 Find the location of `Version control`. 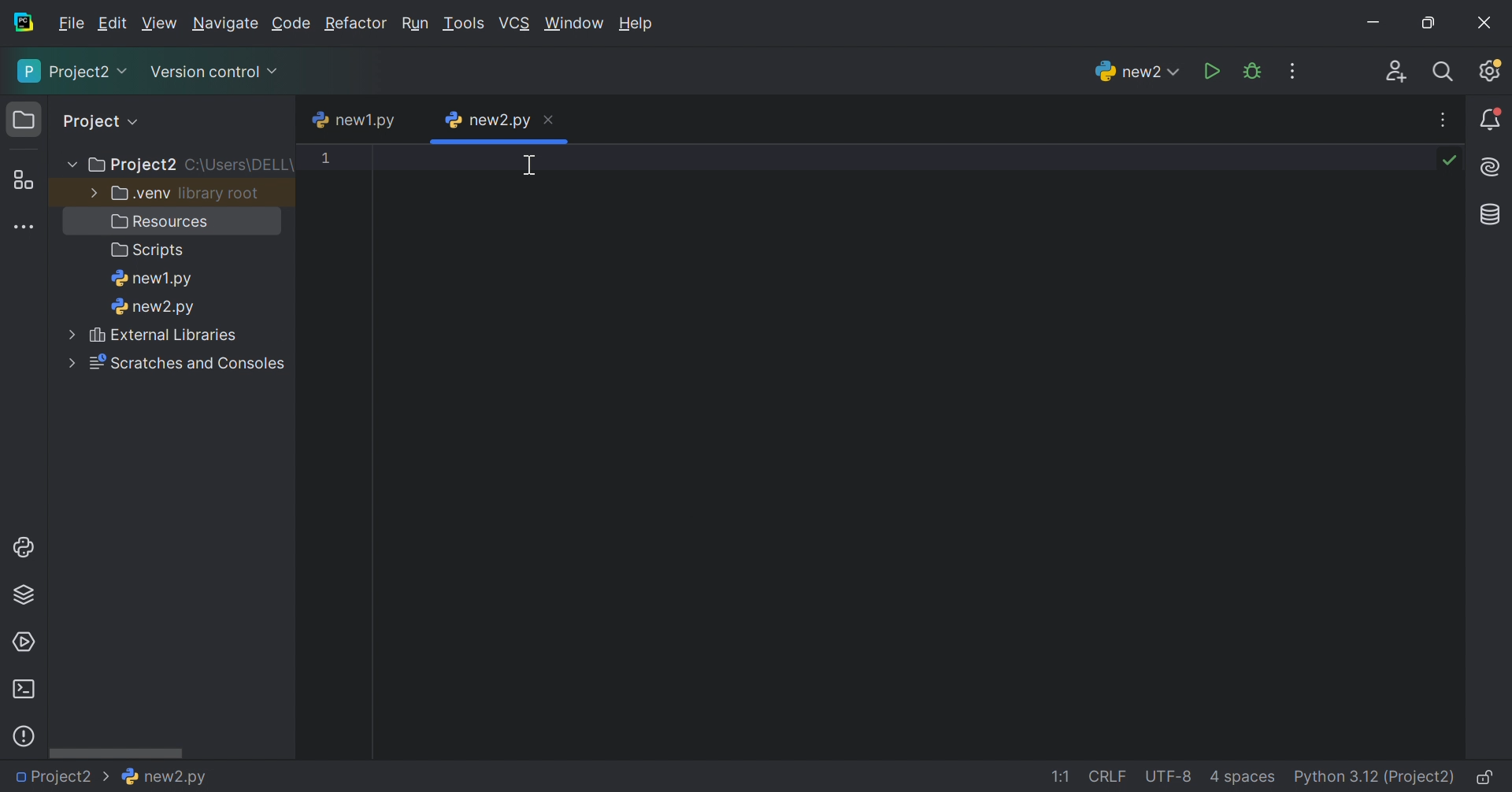

Version control is located at coordinates (216, 74).